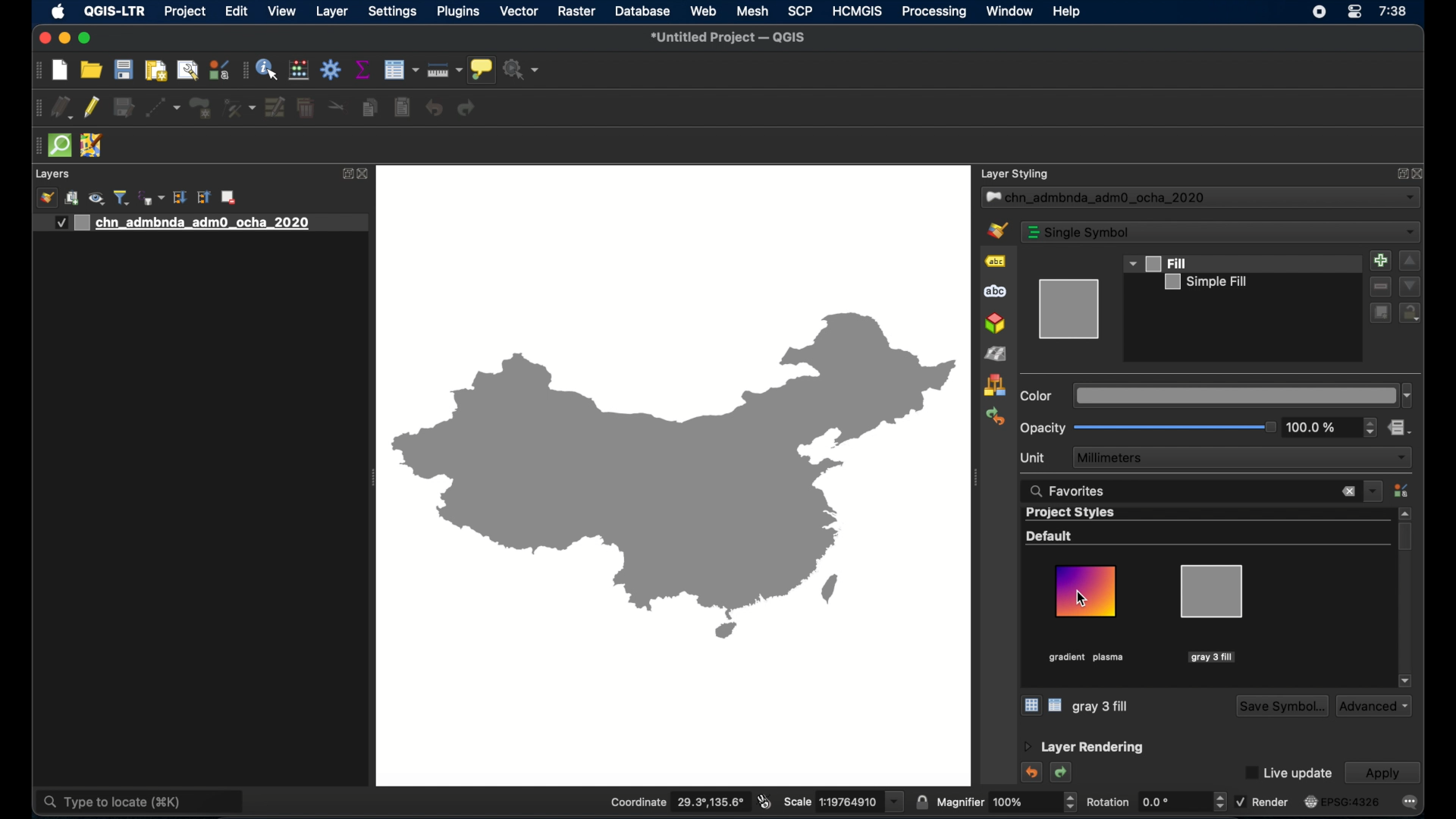  What do you see at coordinates (204, 197) in the screenshot?
I see `collapse all` at bounding box center [204, 197].